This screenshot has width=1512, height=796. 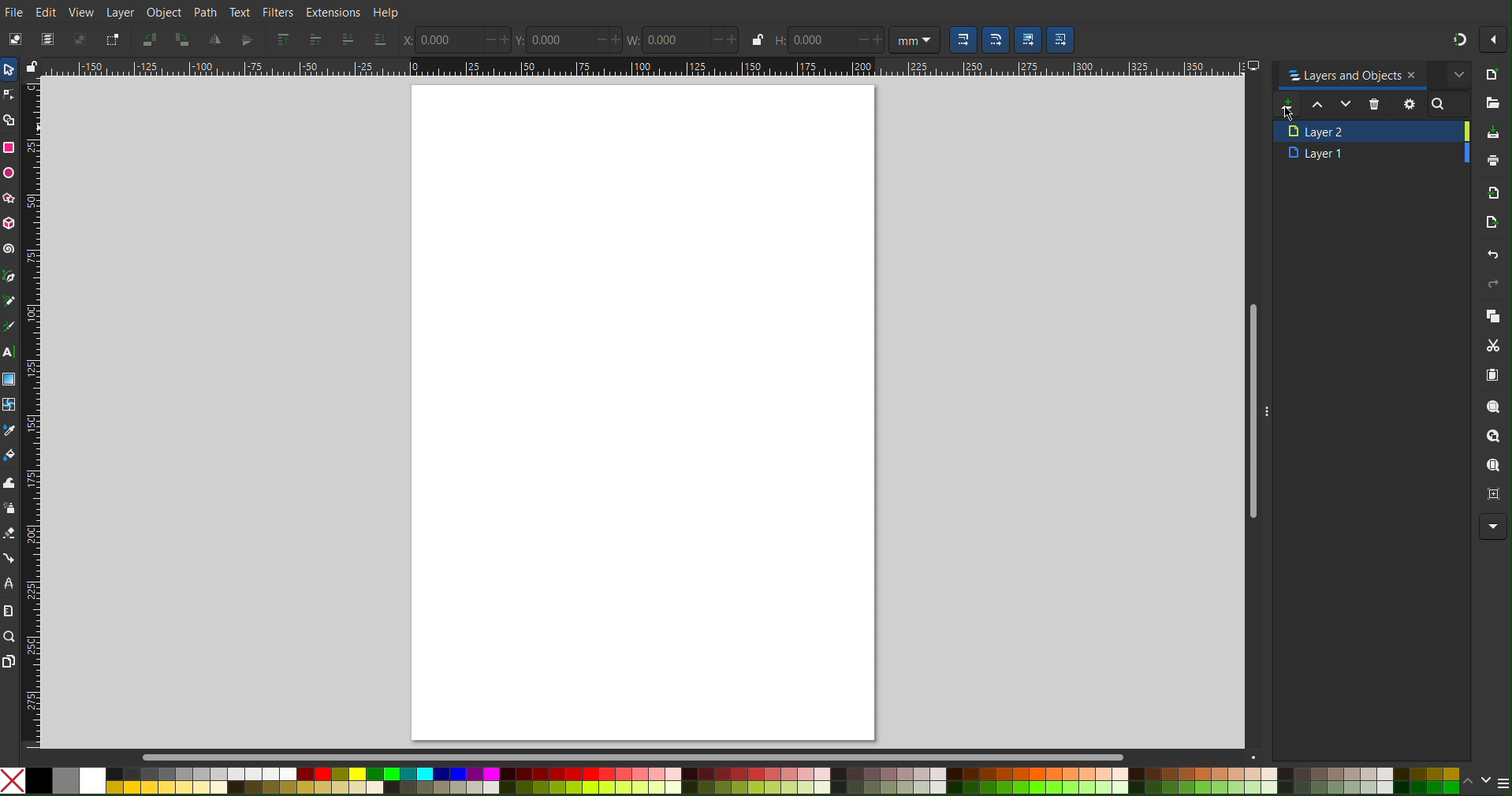 I want to click on Rectangle, so click(x=11, y=145).